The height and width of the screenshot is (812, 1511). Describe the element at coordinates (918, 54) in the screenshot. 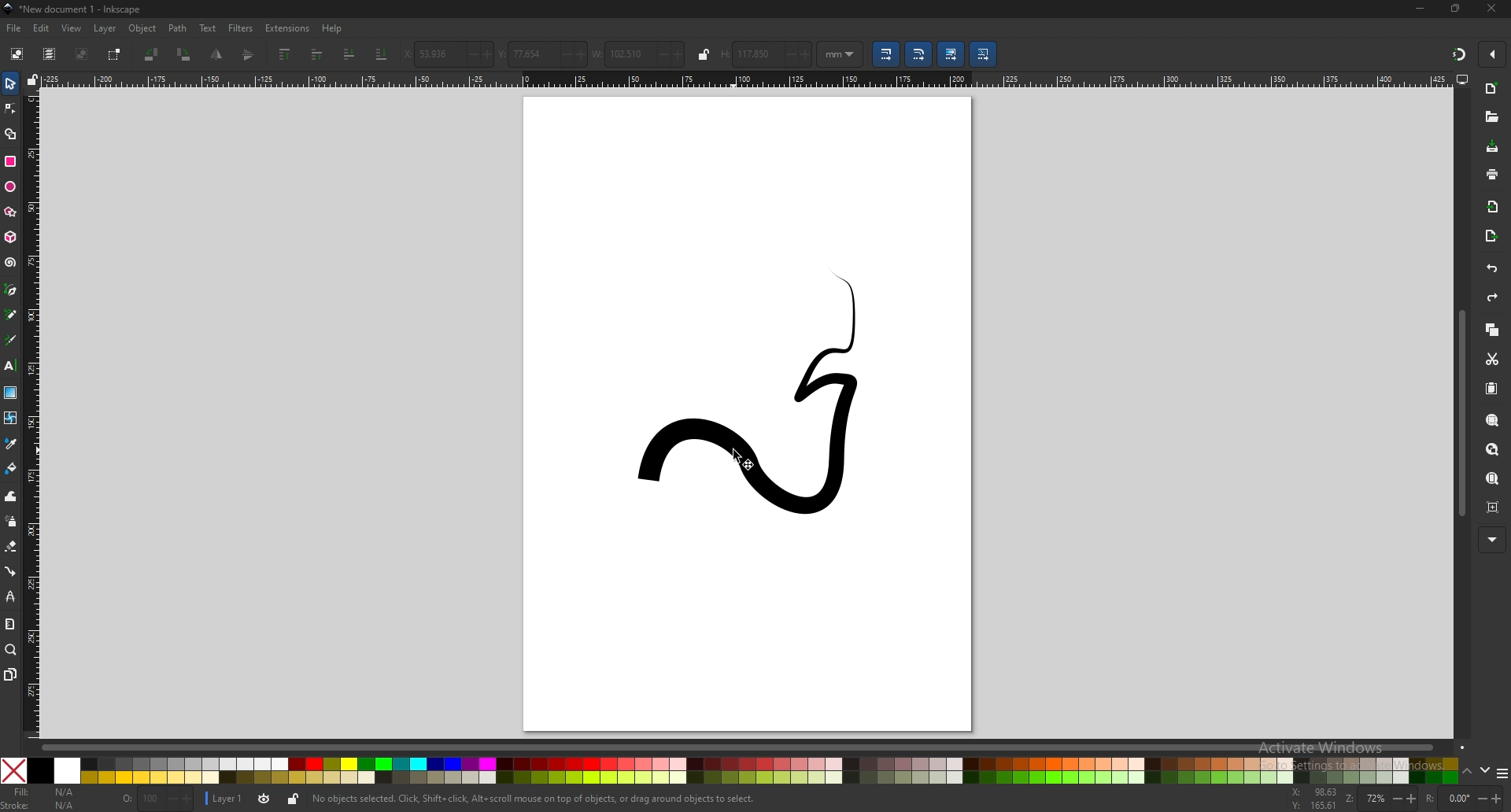

I see `scale radii` at that location.